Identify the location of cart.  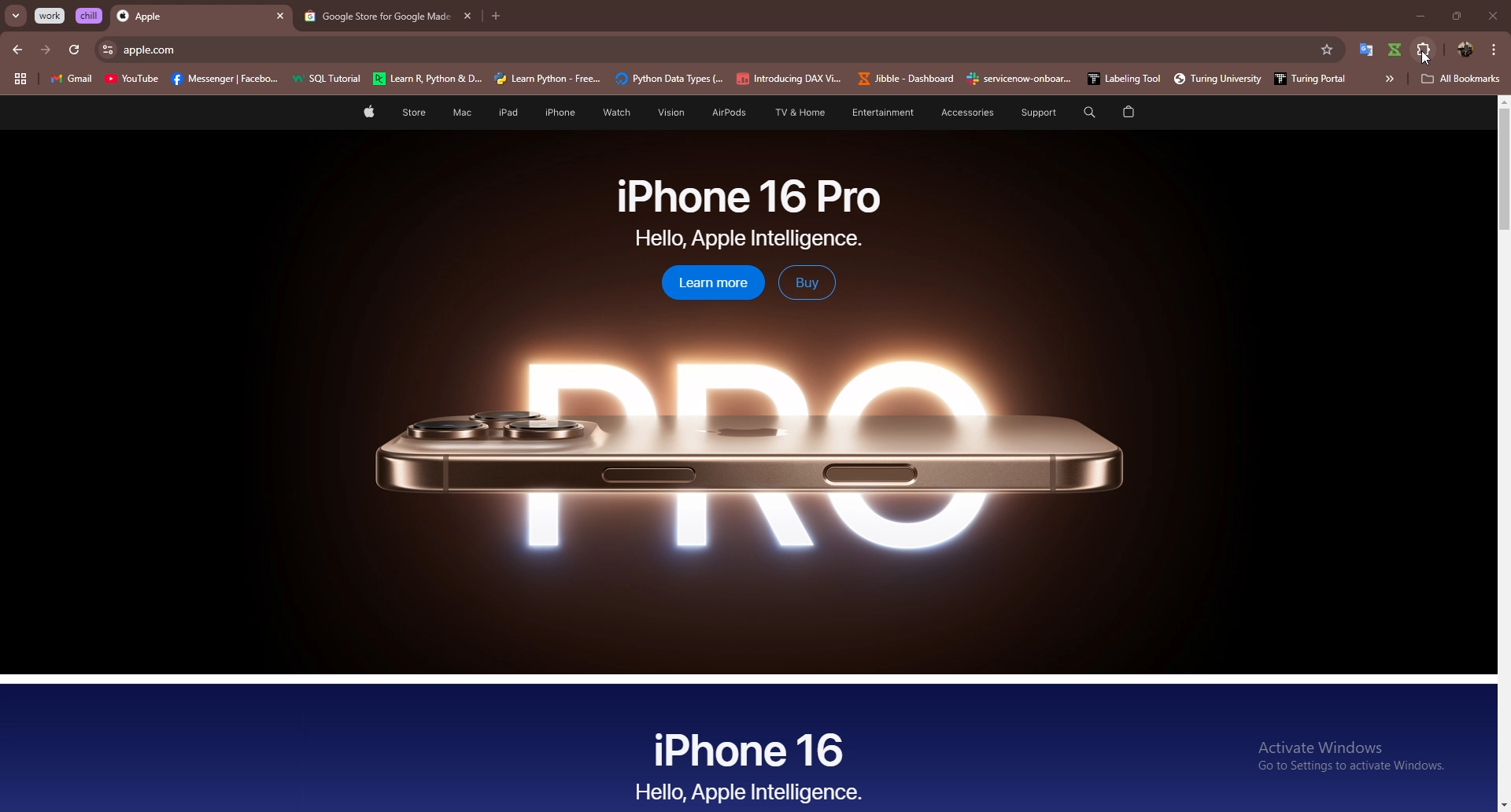
(1129, 113).